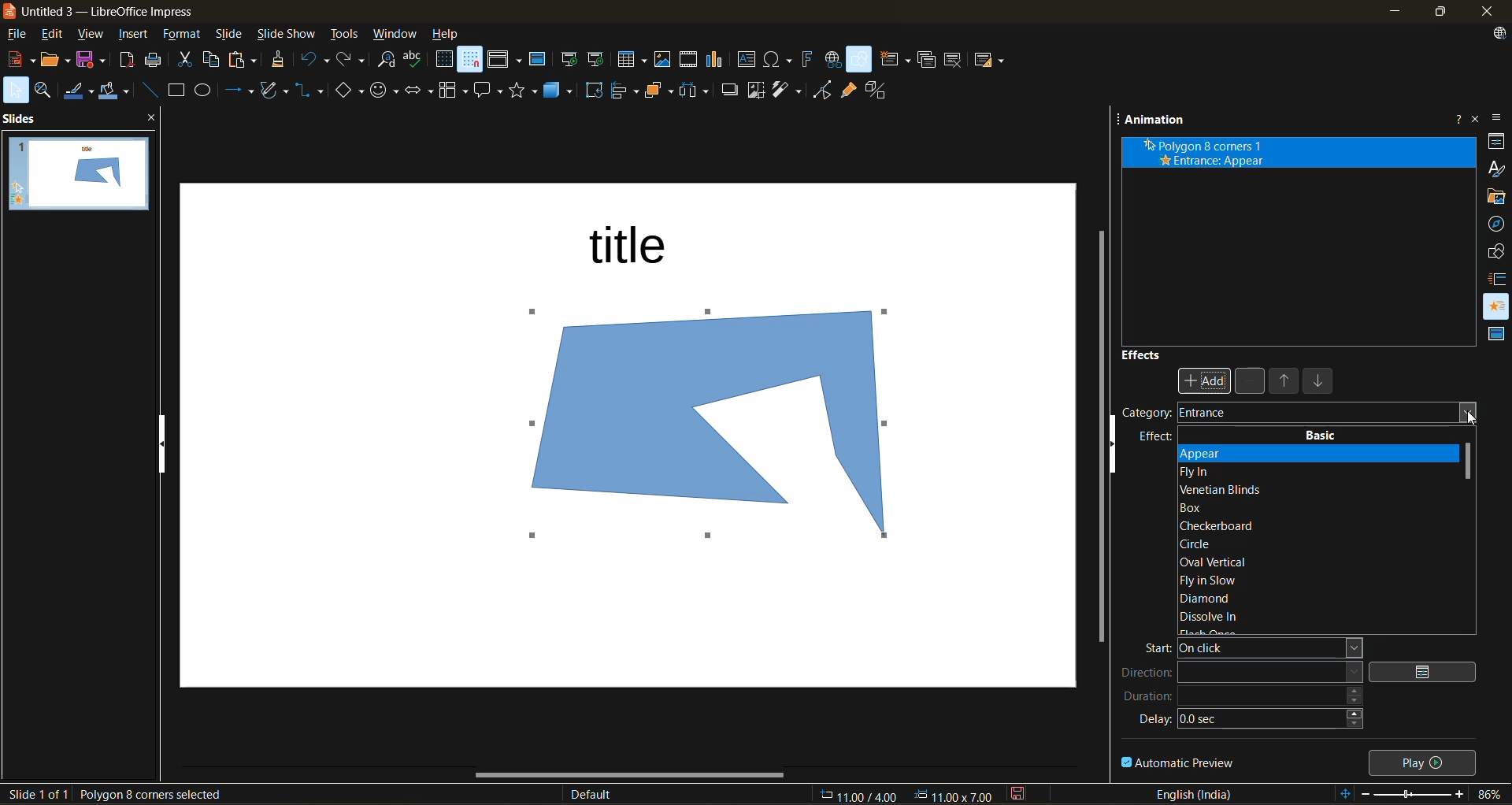  What do you see at coordinates (132, 35) in the screenshot?
I see `insert` at bounding box center [132, 35].